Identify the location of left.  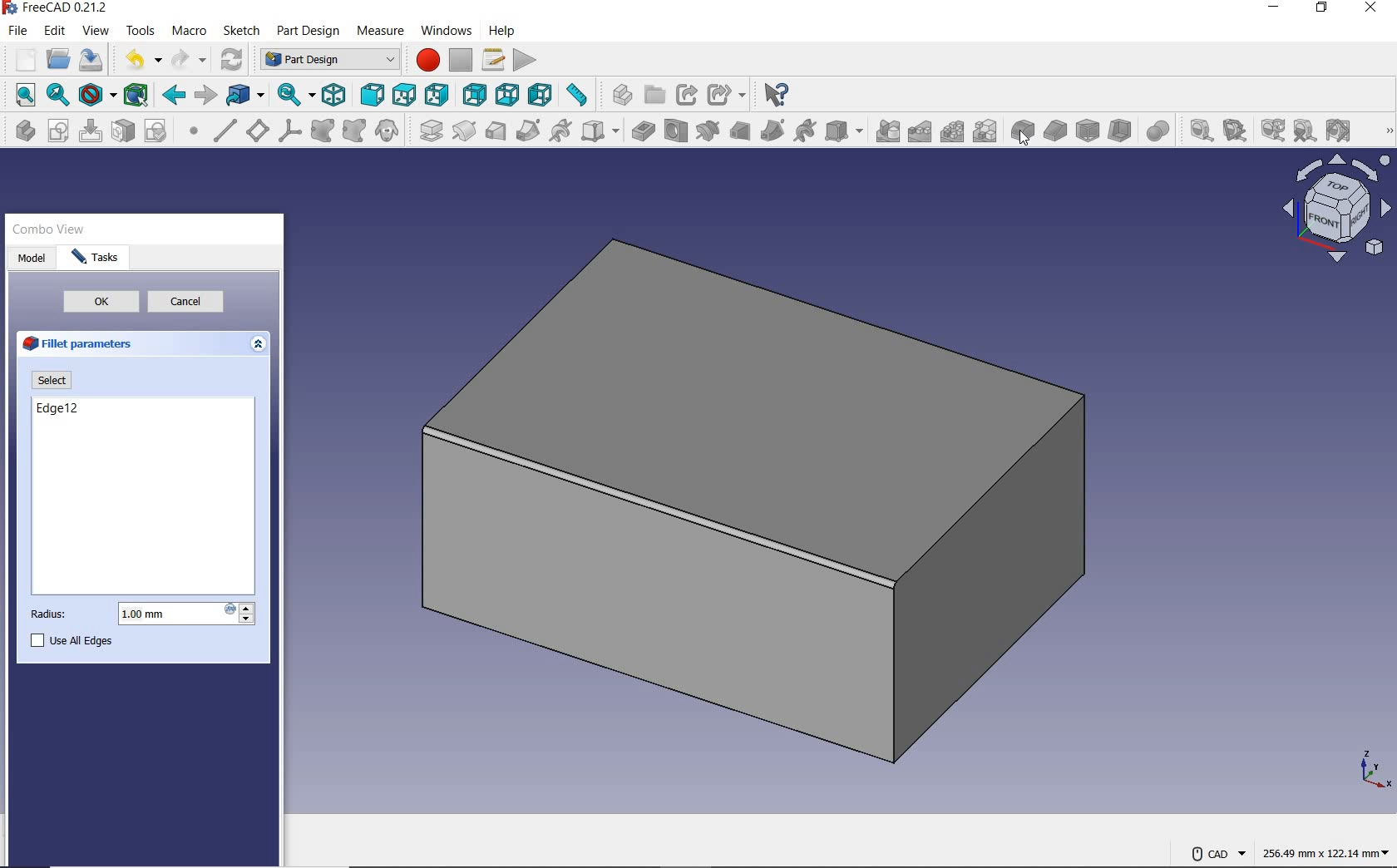
(542, 94).